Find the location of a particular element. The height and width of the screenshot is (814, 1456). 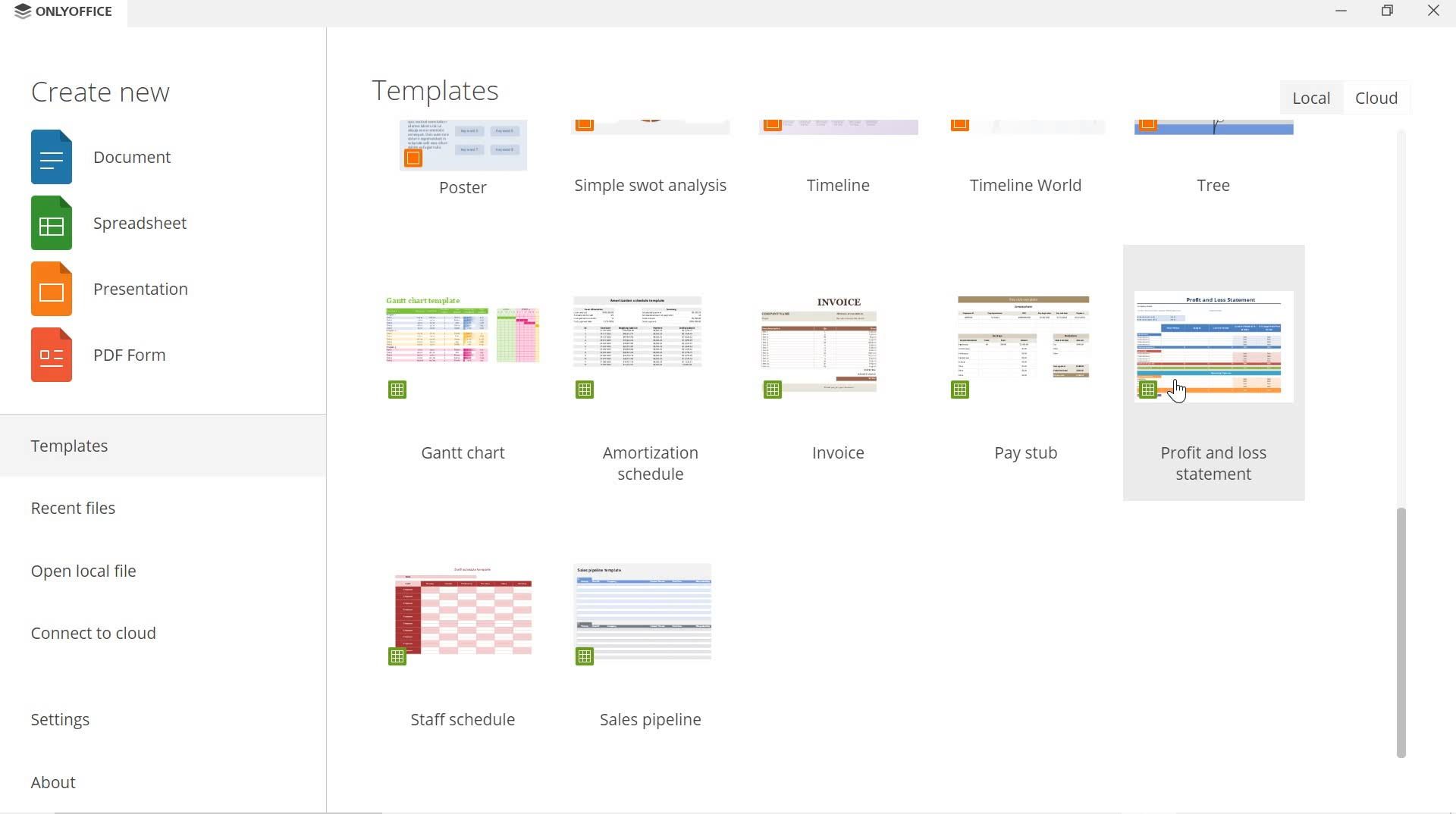

SPREADSHEET is located at coordinates (104, 221).